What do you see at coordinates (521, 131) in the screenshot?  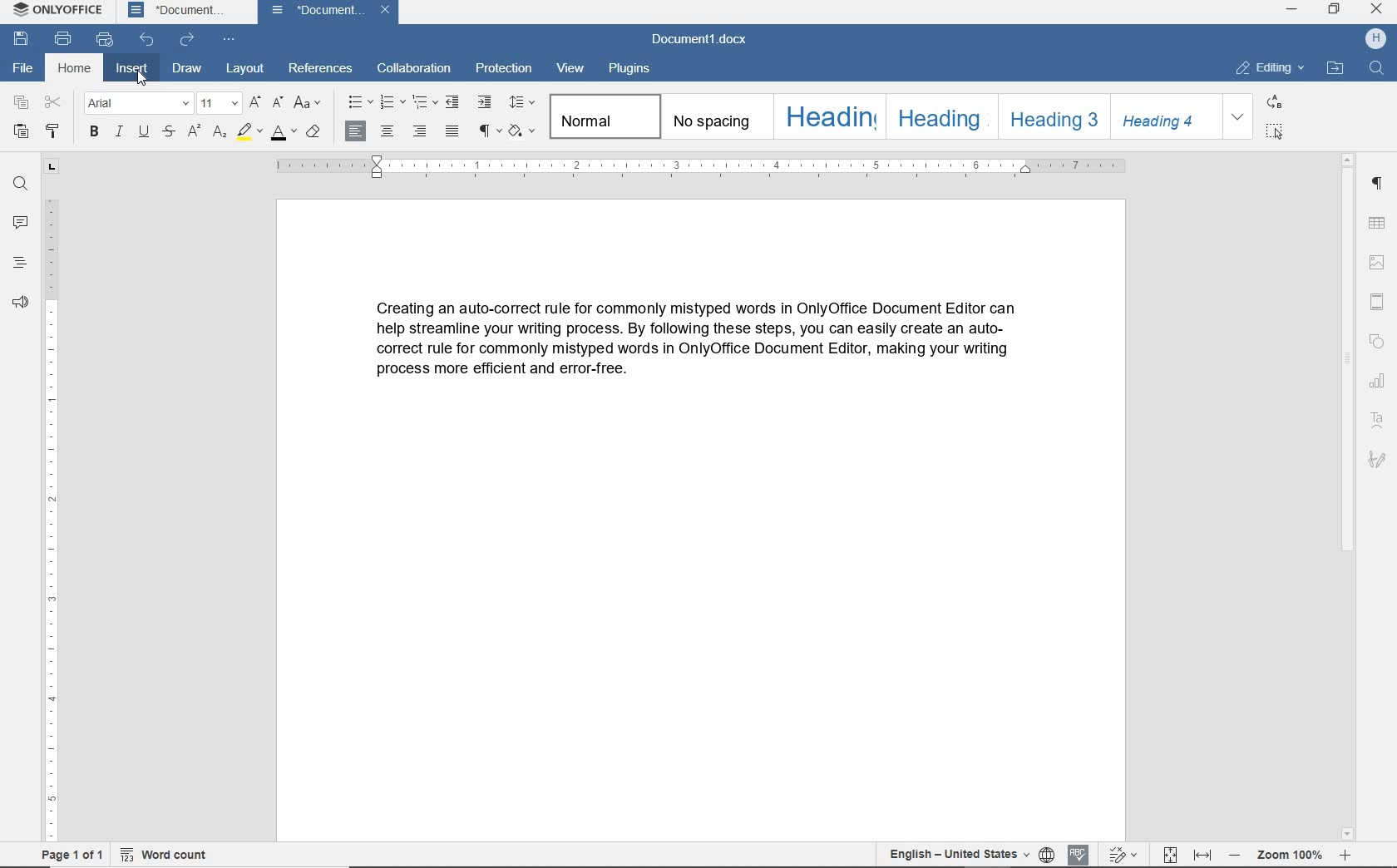 I see `shading` at bounding box center [521, 131].